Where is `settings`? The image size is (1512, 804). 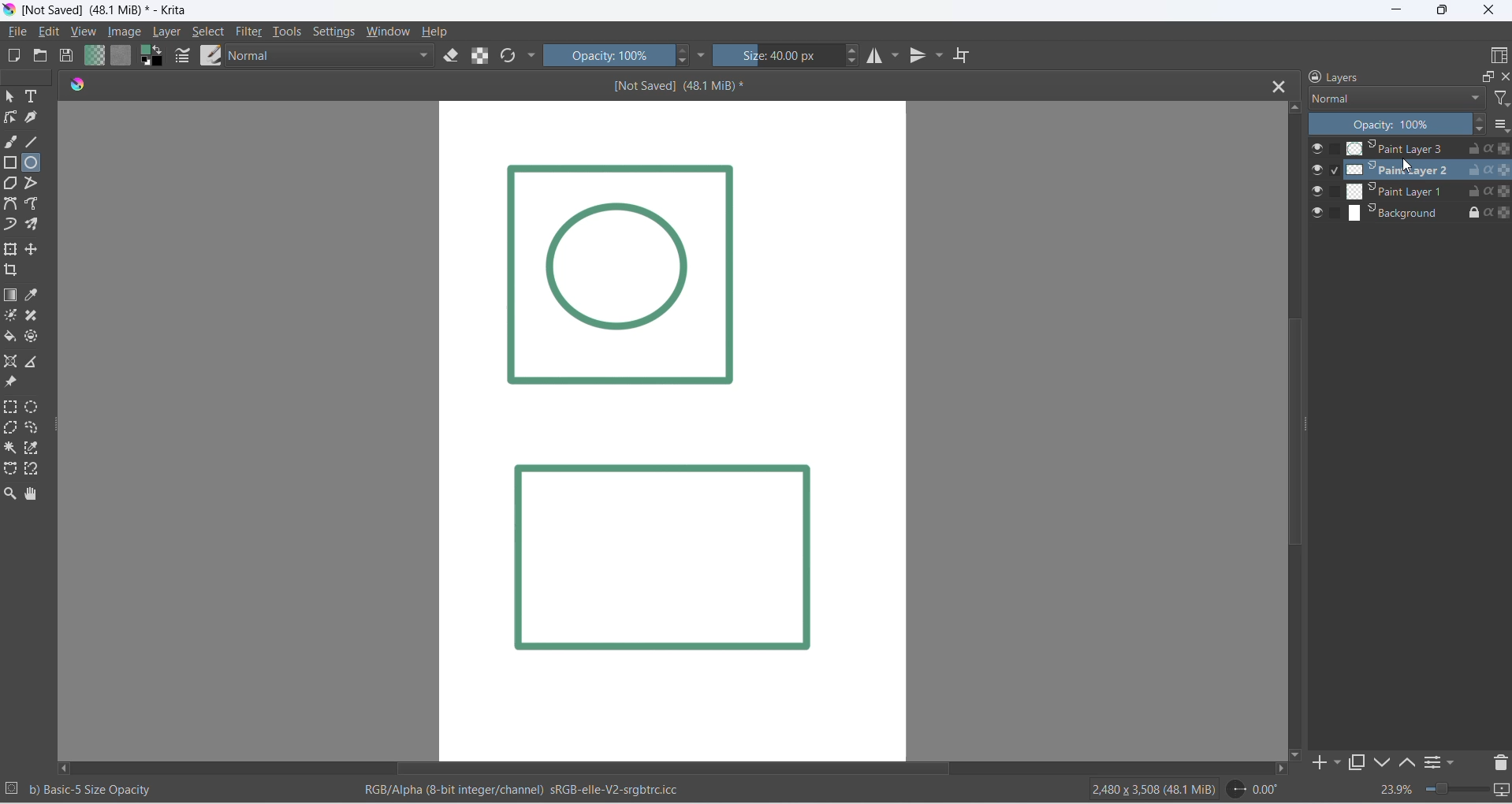
settings is located at coordinates (336, 33).